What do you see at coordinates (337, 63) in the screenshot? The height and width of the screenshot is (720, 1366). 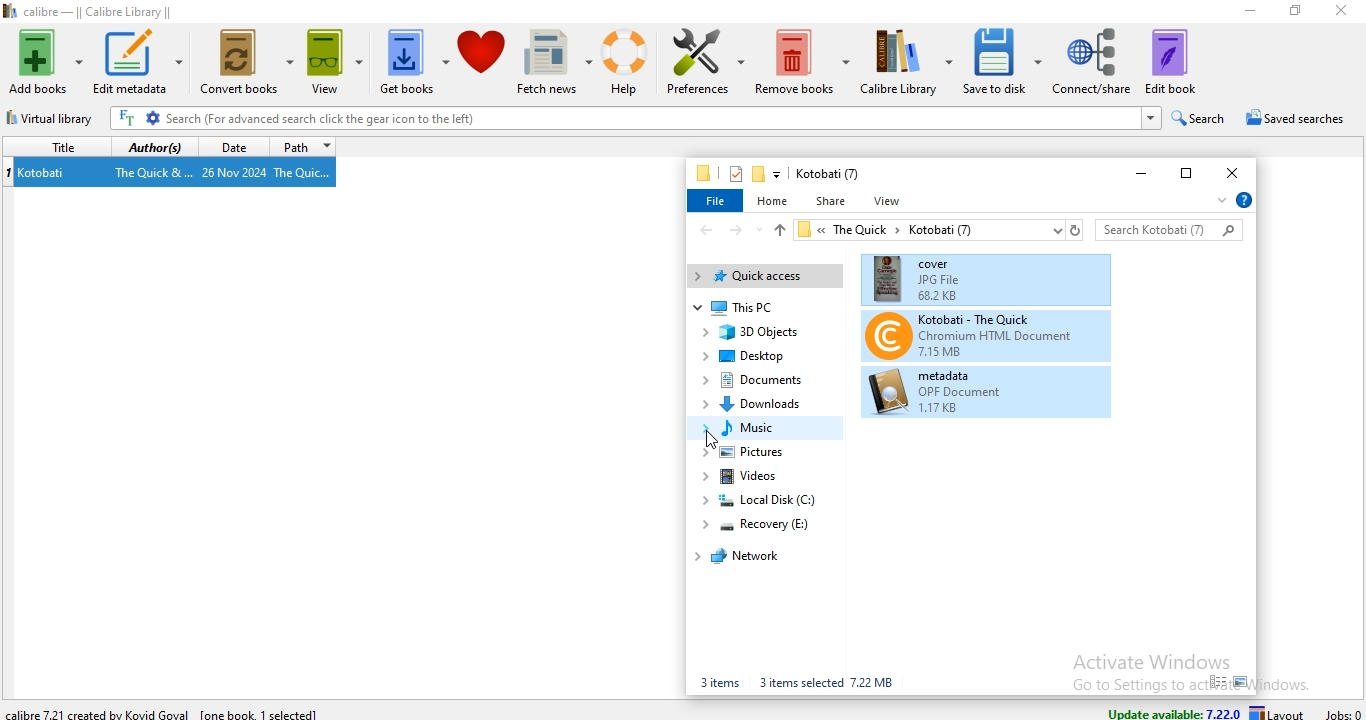 I see `view` at bounding box center [337, 63].